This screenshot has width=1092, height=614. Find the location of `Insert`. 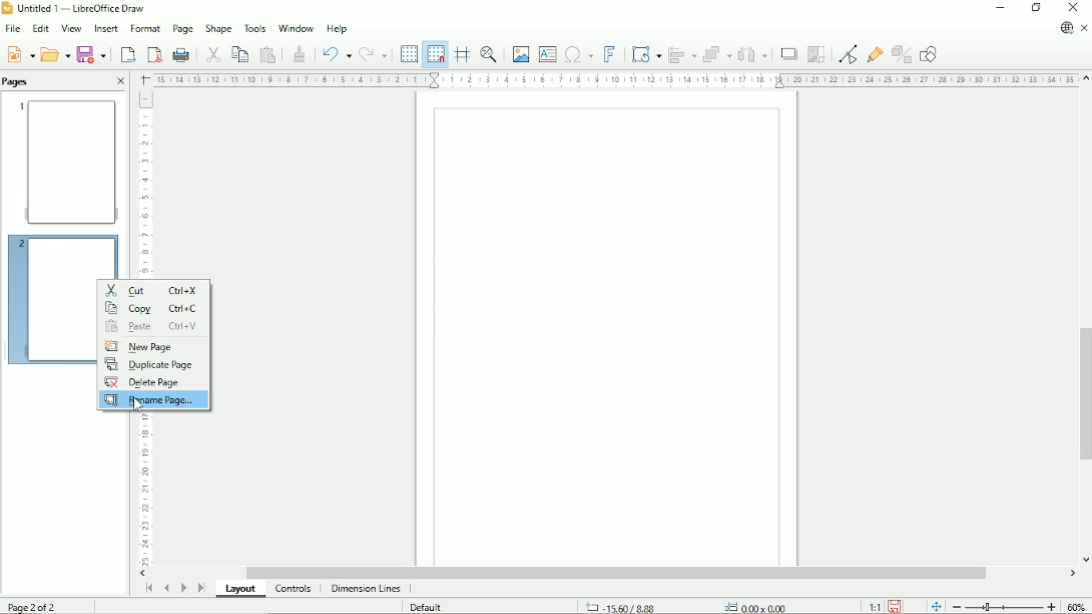

Insert is located at coordinates (104, 29).